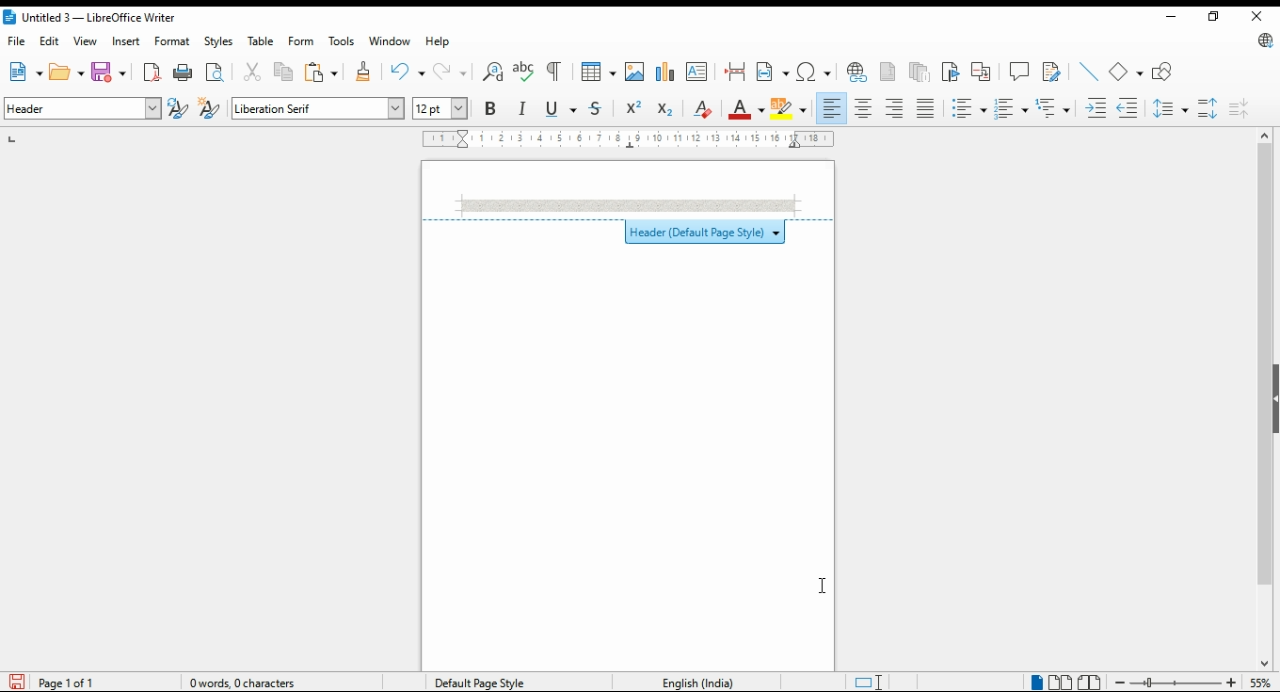 This screenshot has width=1280, height=692. Describe the element at coordinates (250, 682) in the screenshot. I see `document information` at that location.